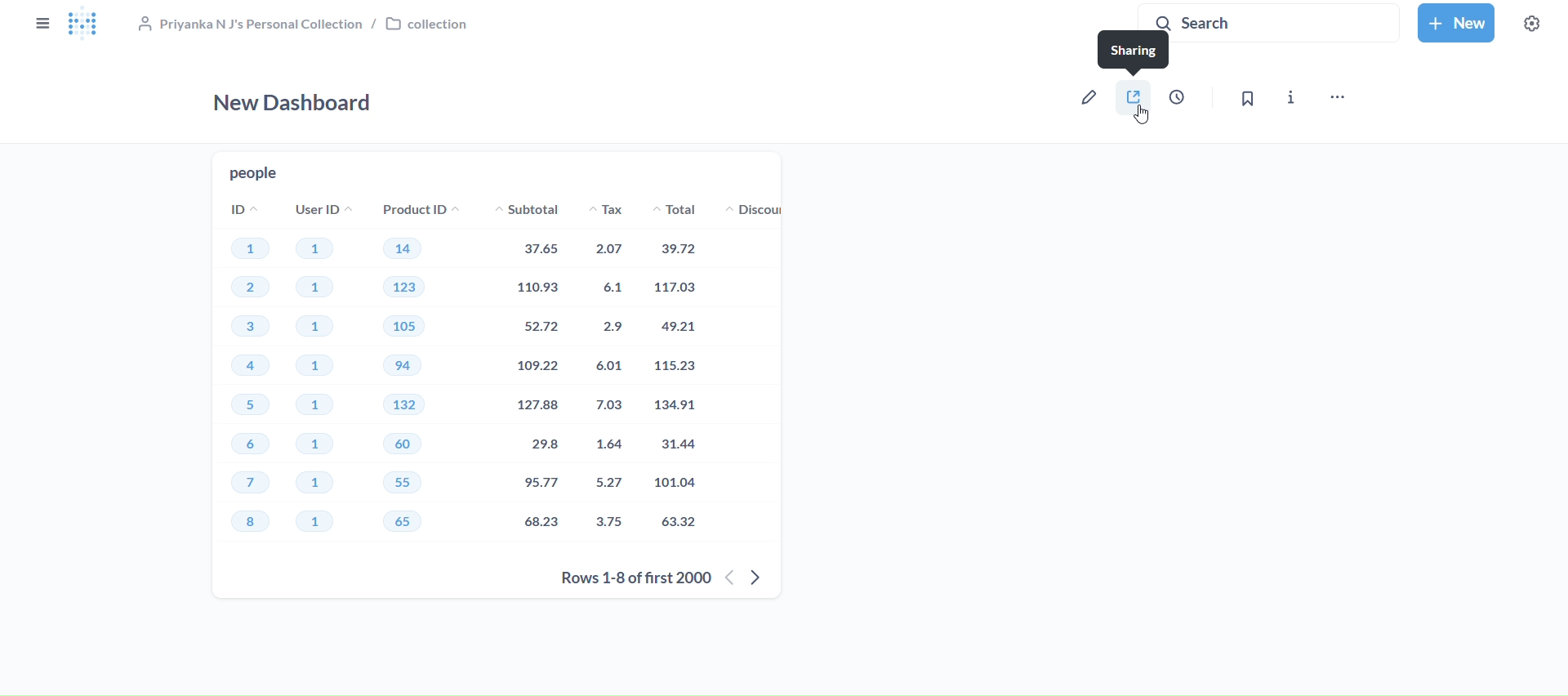  What do you see at coordinates (608, 373) in the screenshot?
I see `tax` at bounding box center [608, 373].